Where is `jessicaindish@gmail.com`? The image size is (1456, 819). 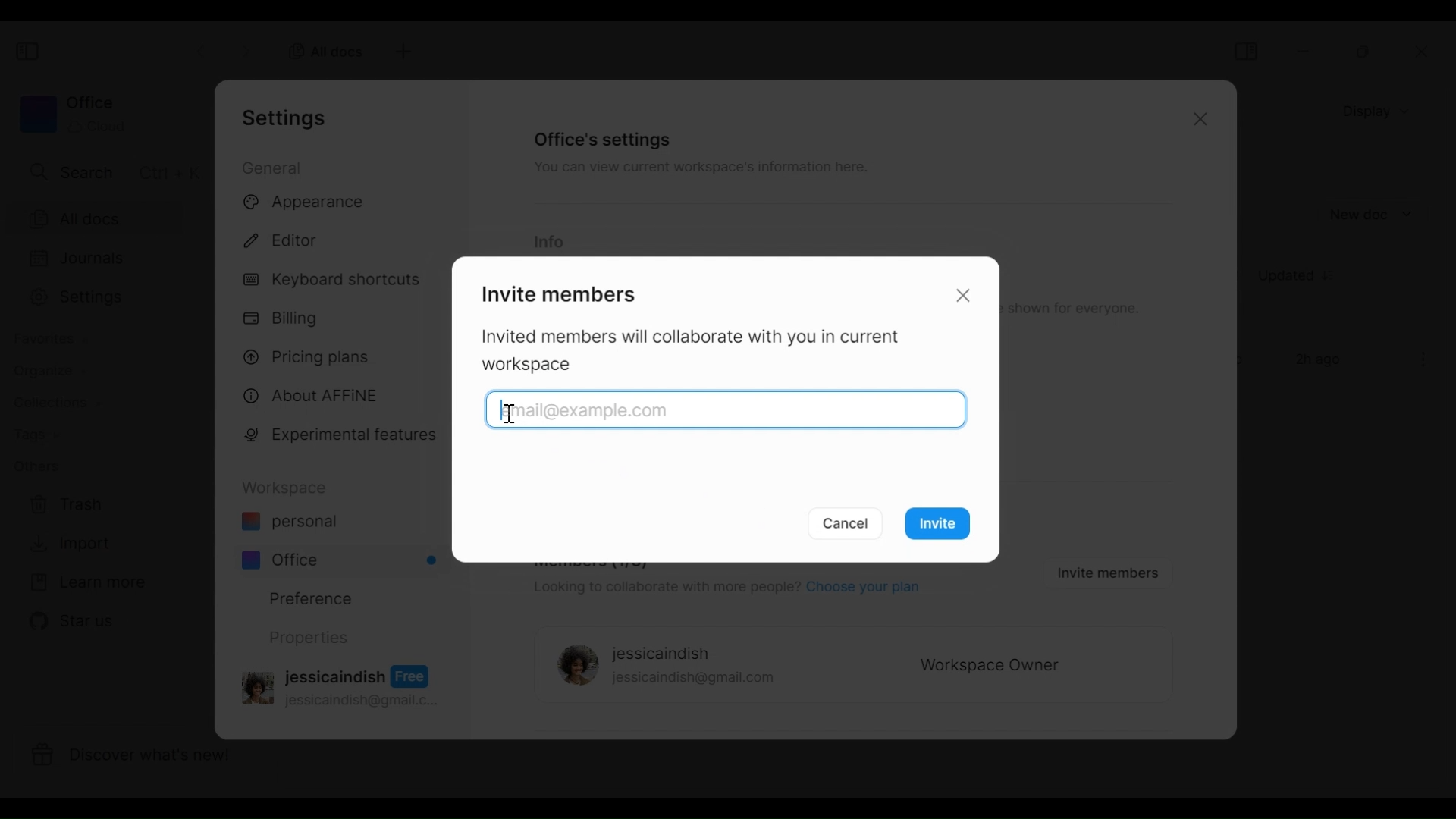 jessicaindish@gmail.com is located at coordinates (694, 679).